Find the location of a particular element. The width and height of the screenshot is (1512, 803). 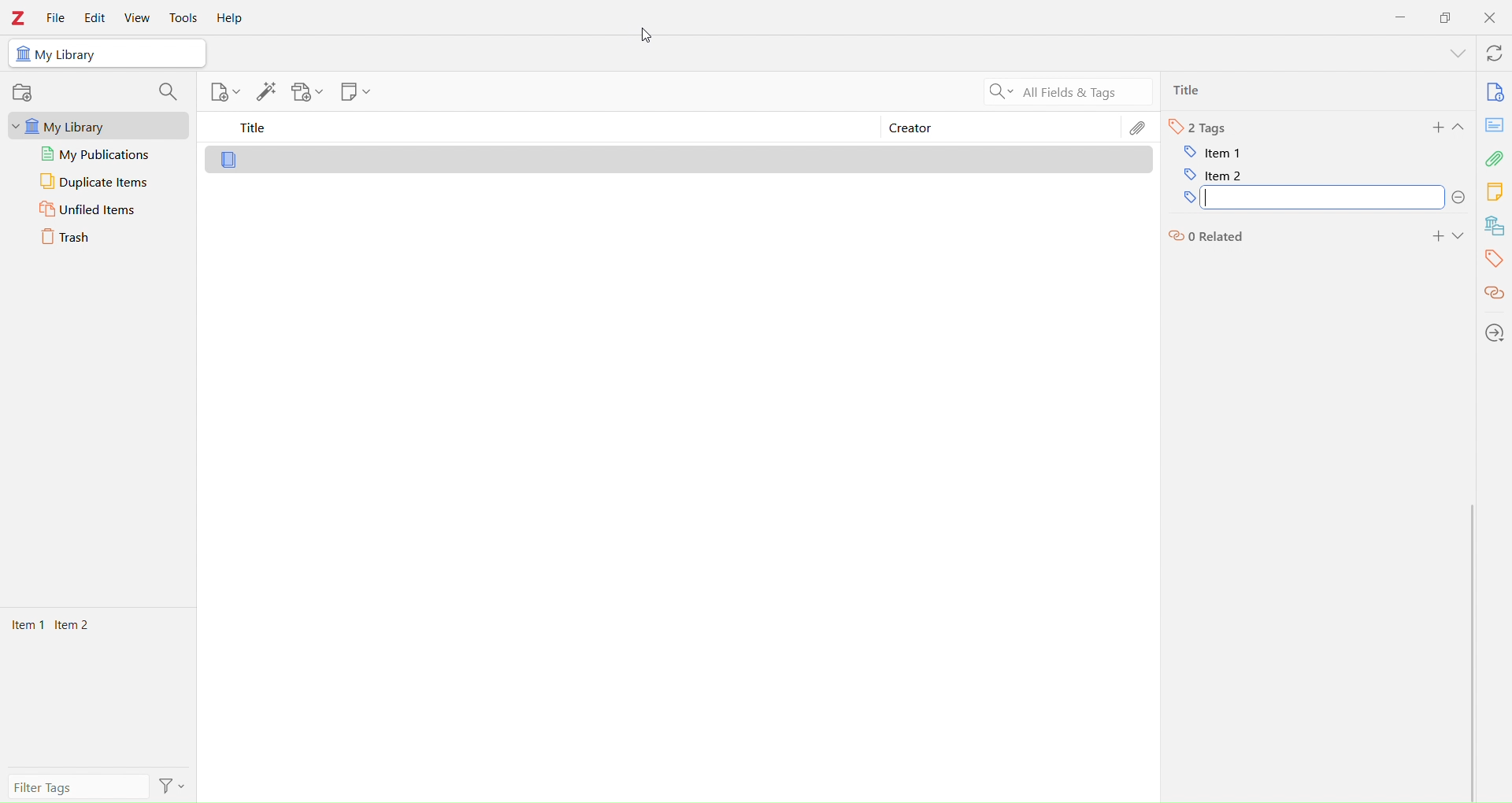

Creator is located at coordinates (992, 129).